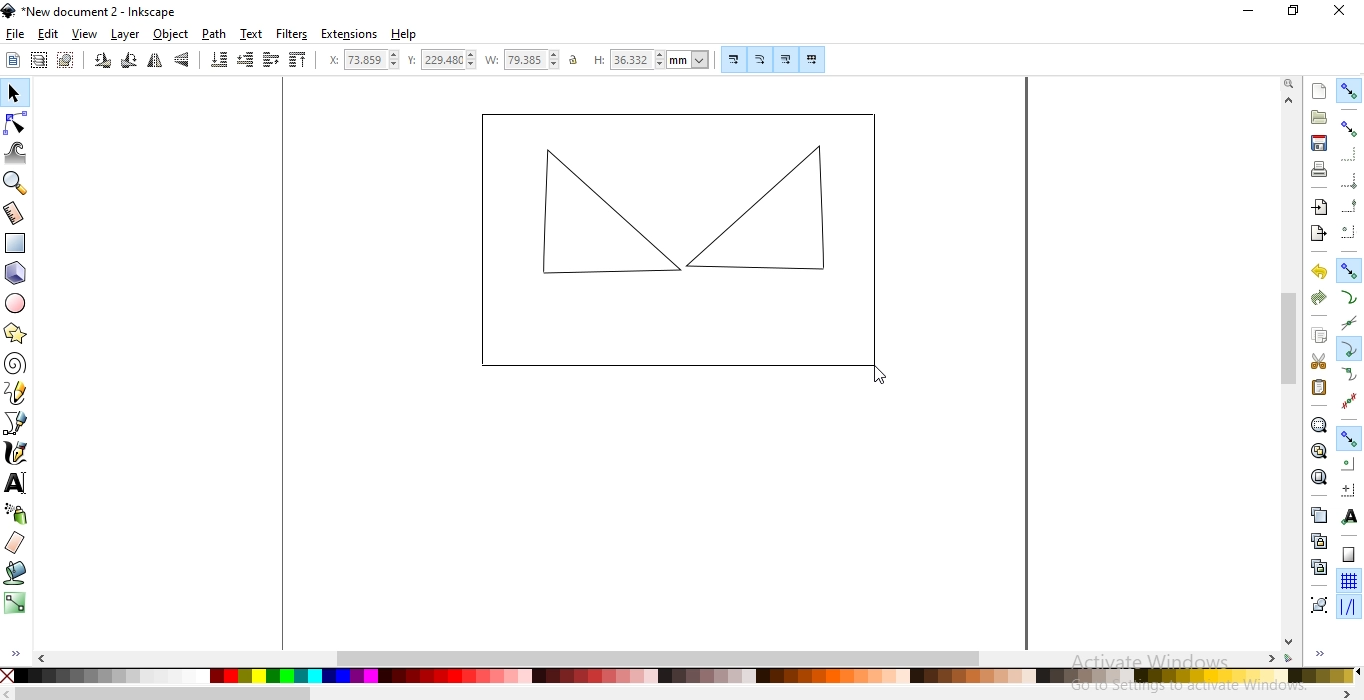 The image size is (1364, 700). What do you see at coordinates (652, 60) in the screenshot?
I see `height of selection` at bounding box center [652, 60].